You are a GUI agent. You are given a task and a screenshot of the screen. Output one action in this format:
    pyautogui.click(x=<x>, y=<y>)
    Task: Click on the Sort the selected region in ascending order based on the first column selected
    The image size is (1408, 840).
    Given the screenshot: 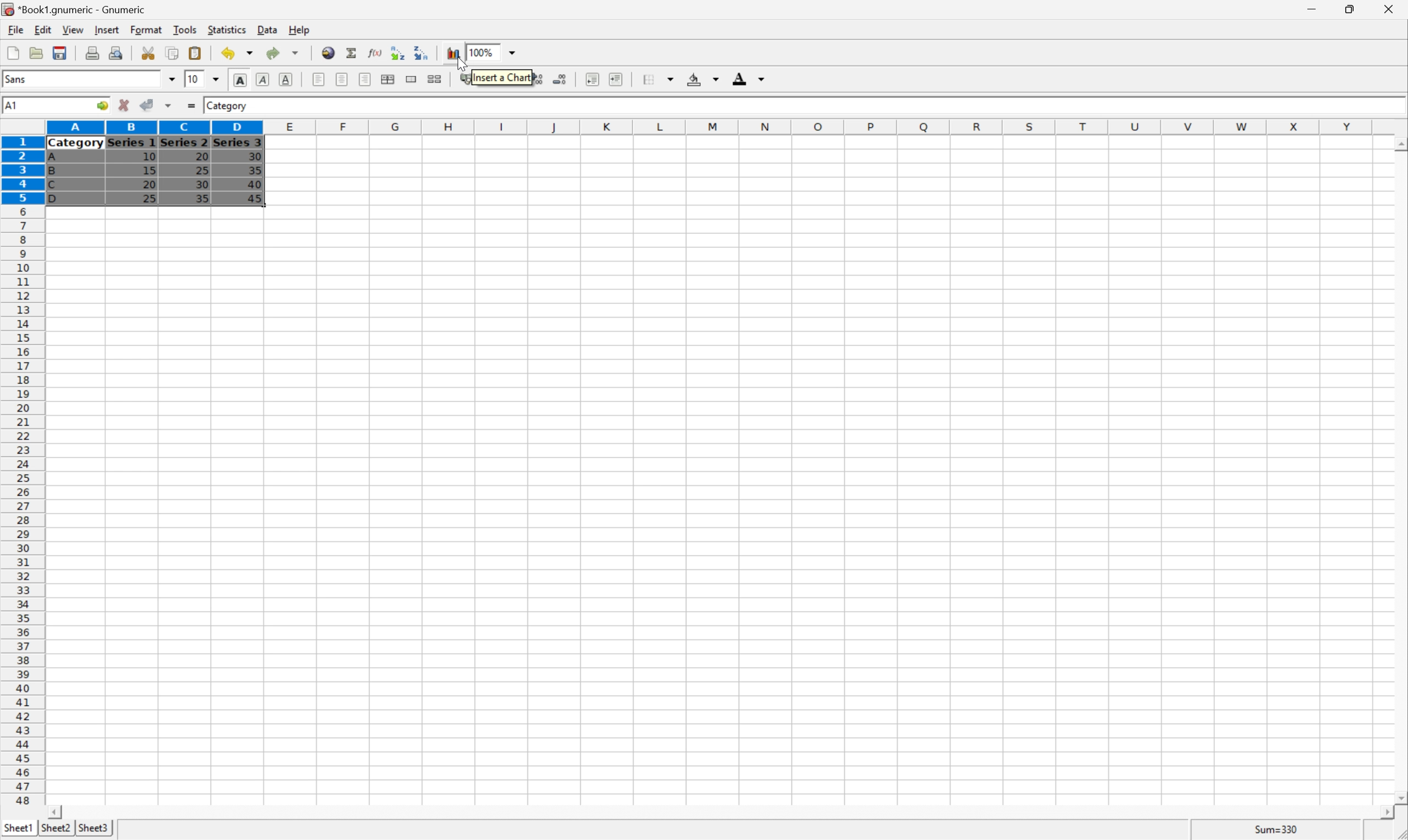 What is the action you would take?
    pyautogui.click(x=397, y=53)
    